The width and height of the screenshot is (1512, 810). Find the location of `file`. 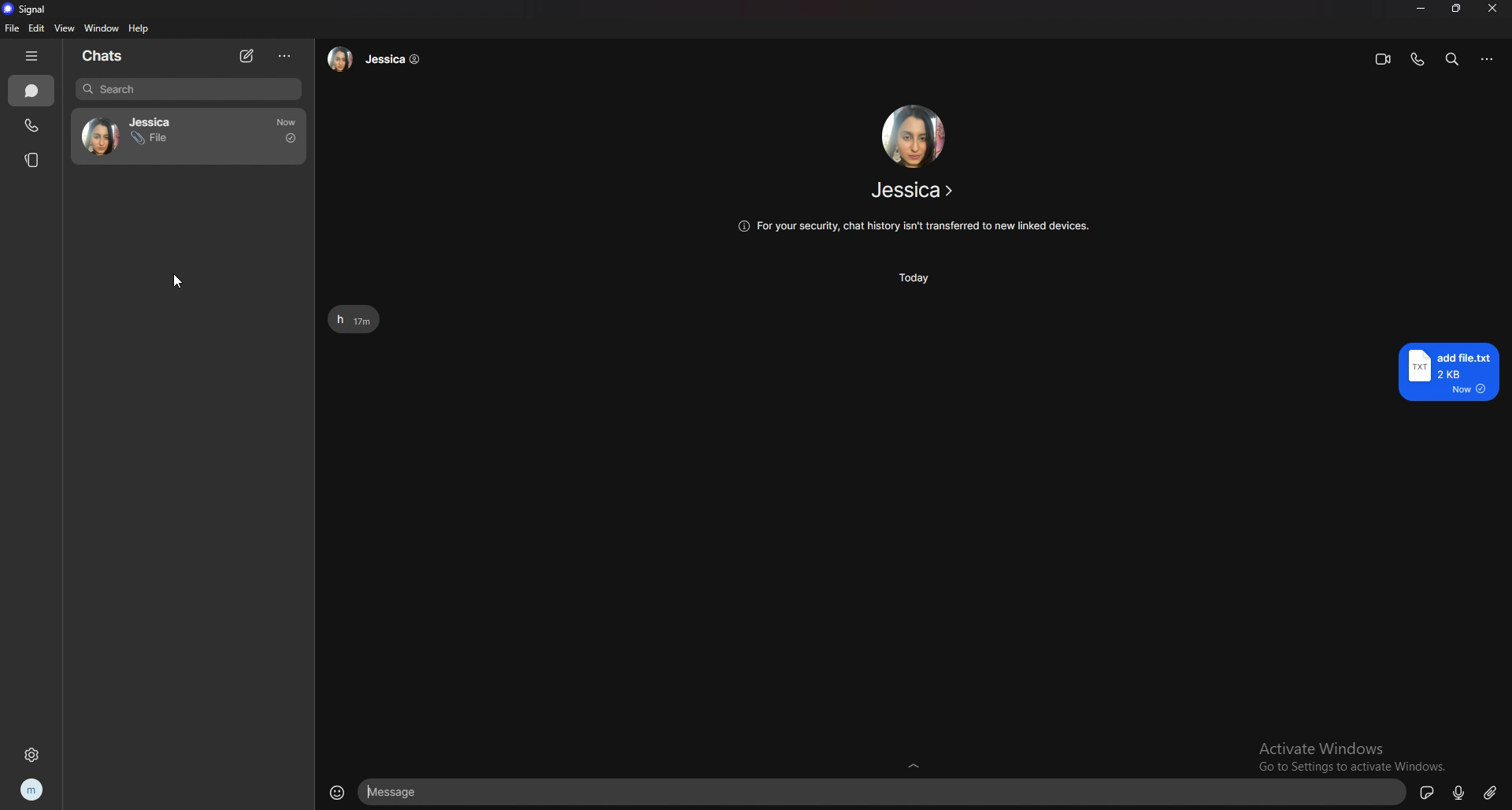

file is located at coordinates (152, 139).